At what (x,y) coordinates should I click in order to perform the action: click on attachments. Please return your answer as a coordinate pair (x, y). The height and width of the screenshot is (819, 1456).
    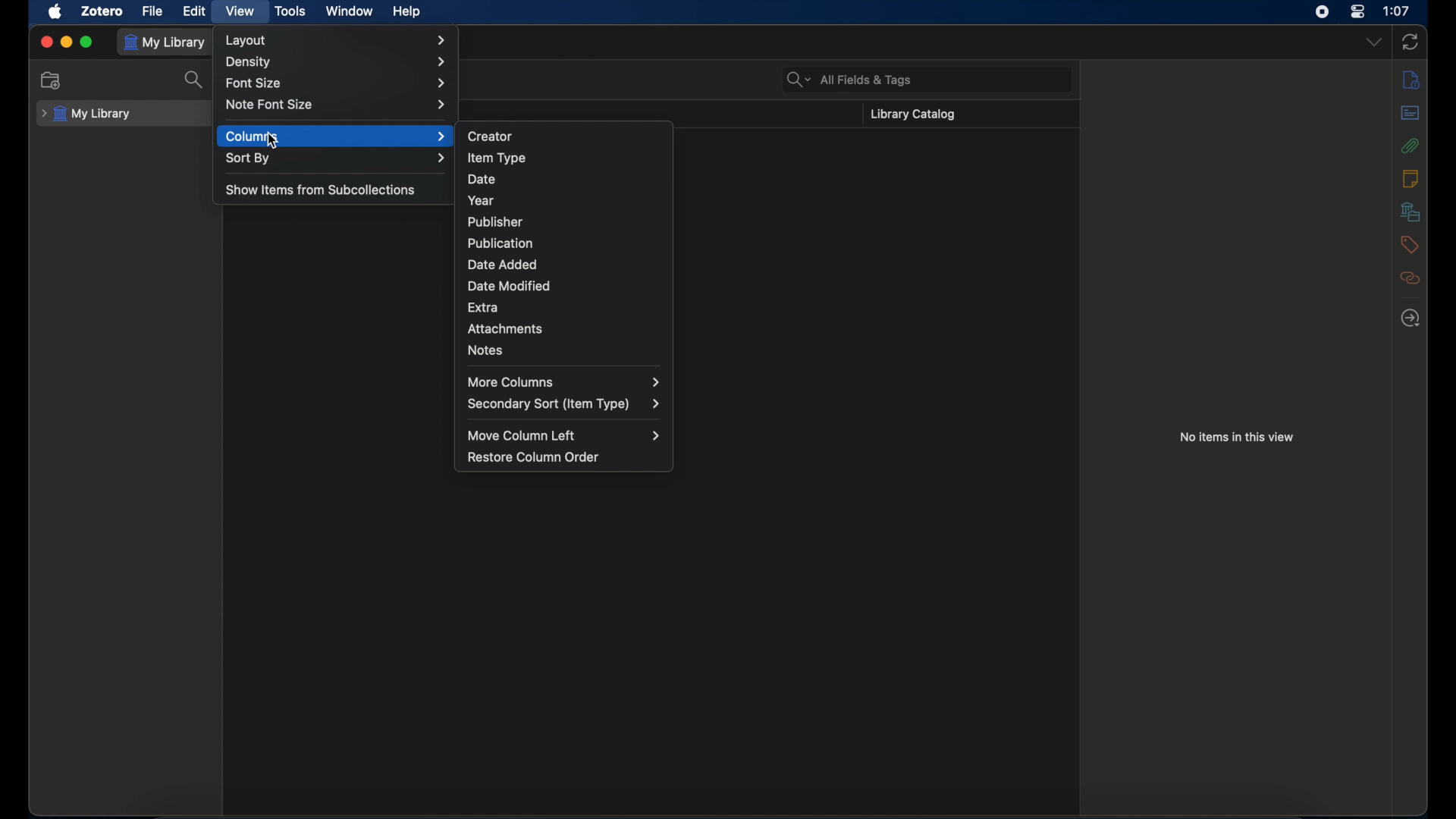
    Looking at the image, I should click on (1410, 146).